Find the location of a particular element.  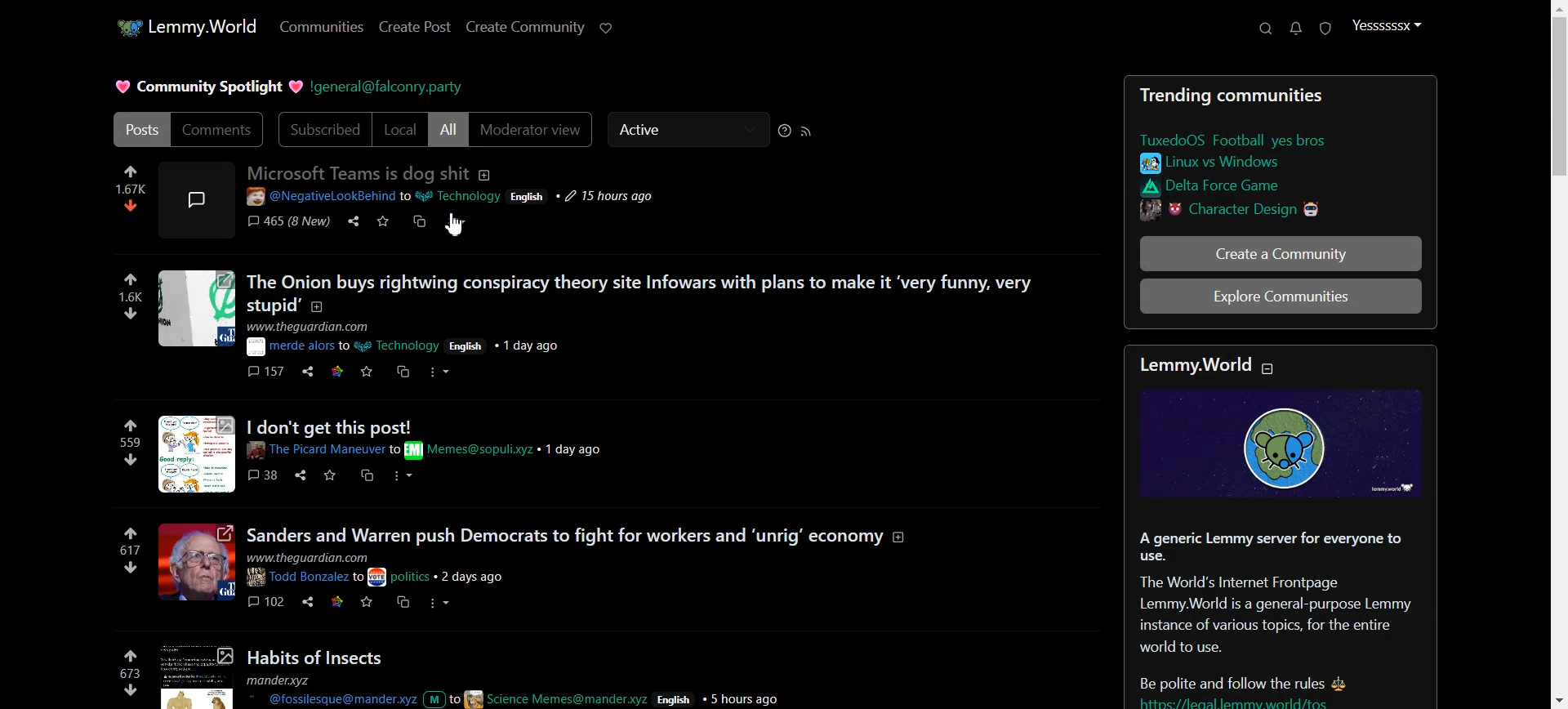

link is located at coordinates (341, 372).